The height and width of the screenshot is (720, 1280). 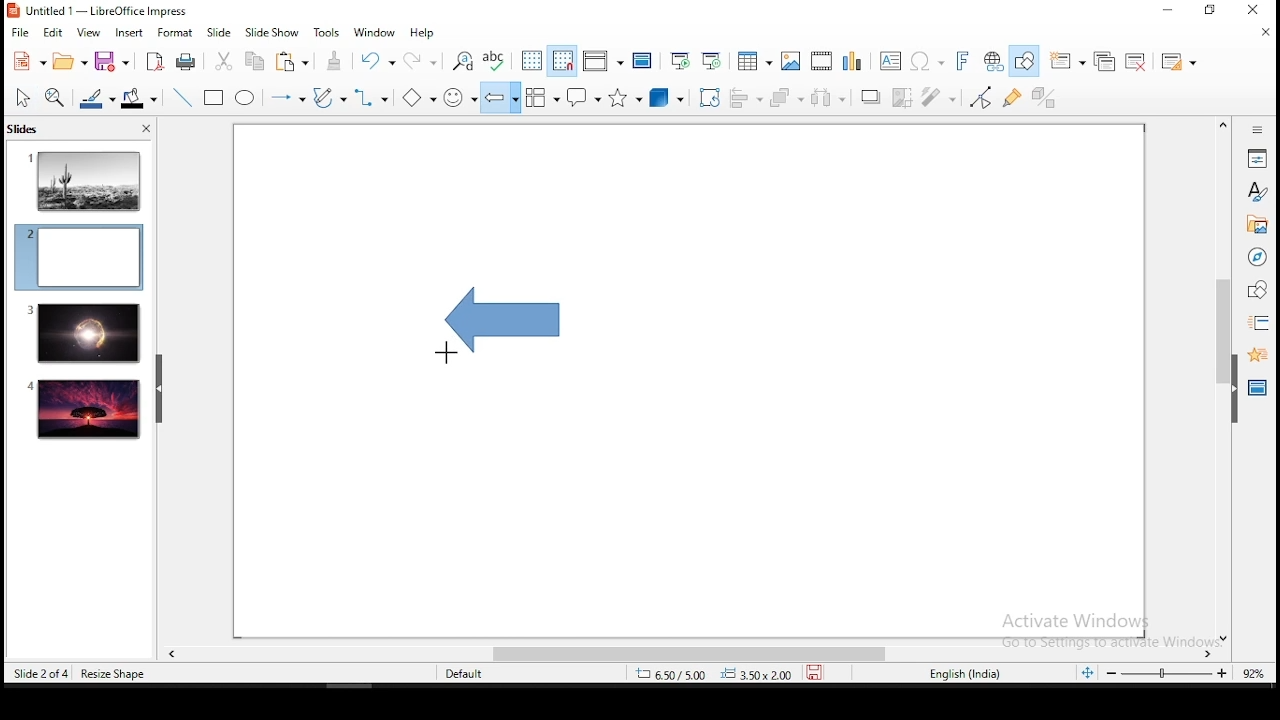 I want to click on undo, so click(x=379, y=61).